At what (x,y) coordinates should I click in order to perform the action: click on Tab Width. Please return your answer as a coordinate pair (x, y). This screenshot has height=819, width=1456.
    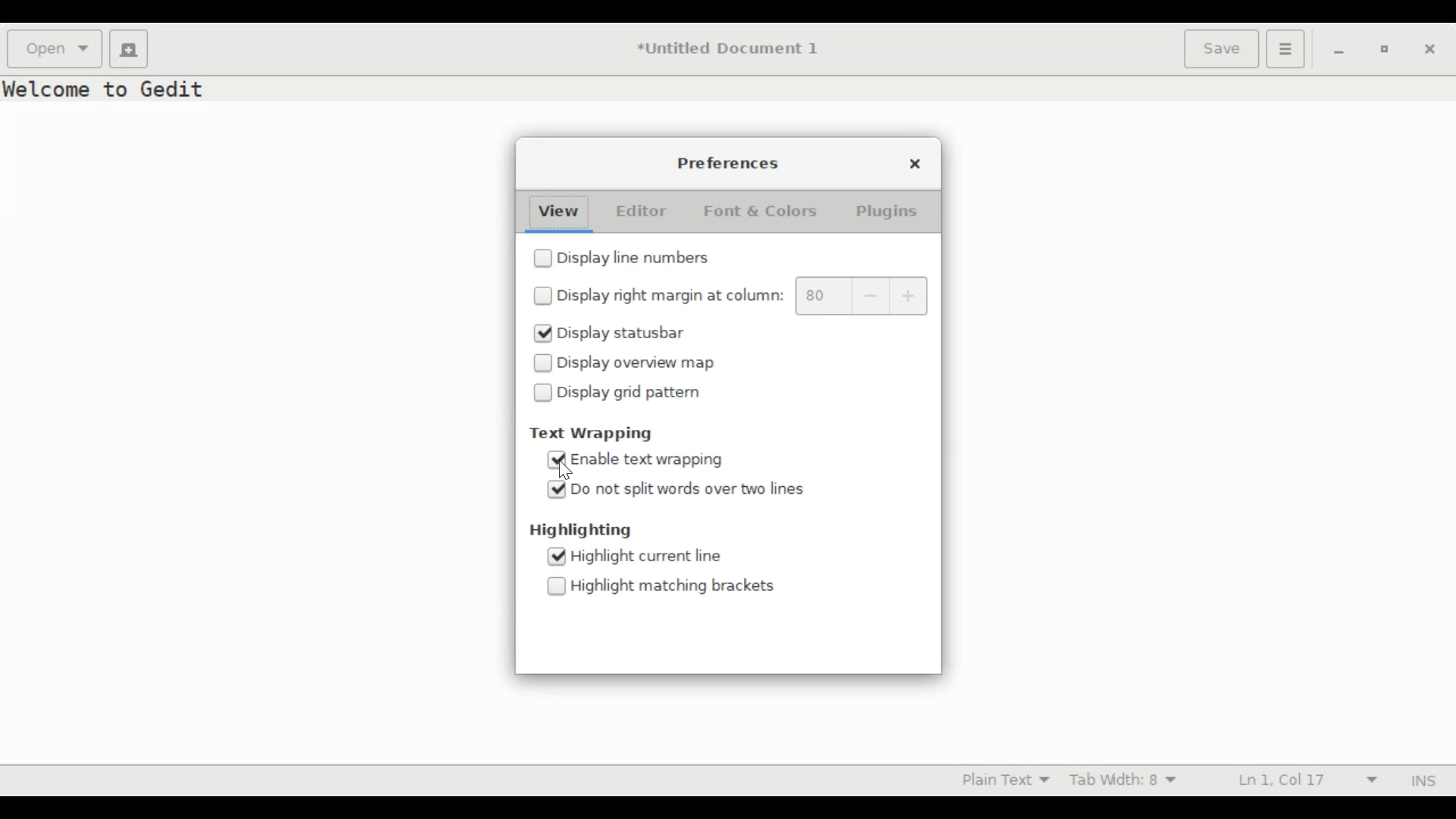
    Looking at the image, I should click on (1123, 781).